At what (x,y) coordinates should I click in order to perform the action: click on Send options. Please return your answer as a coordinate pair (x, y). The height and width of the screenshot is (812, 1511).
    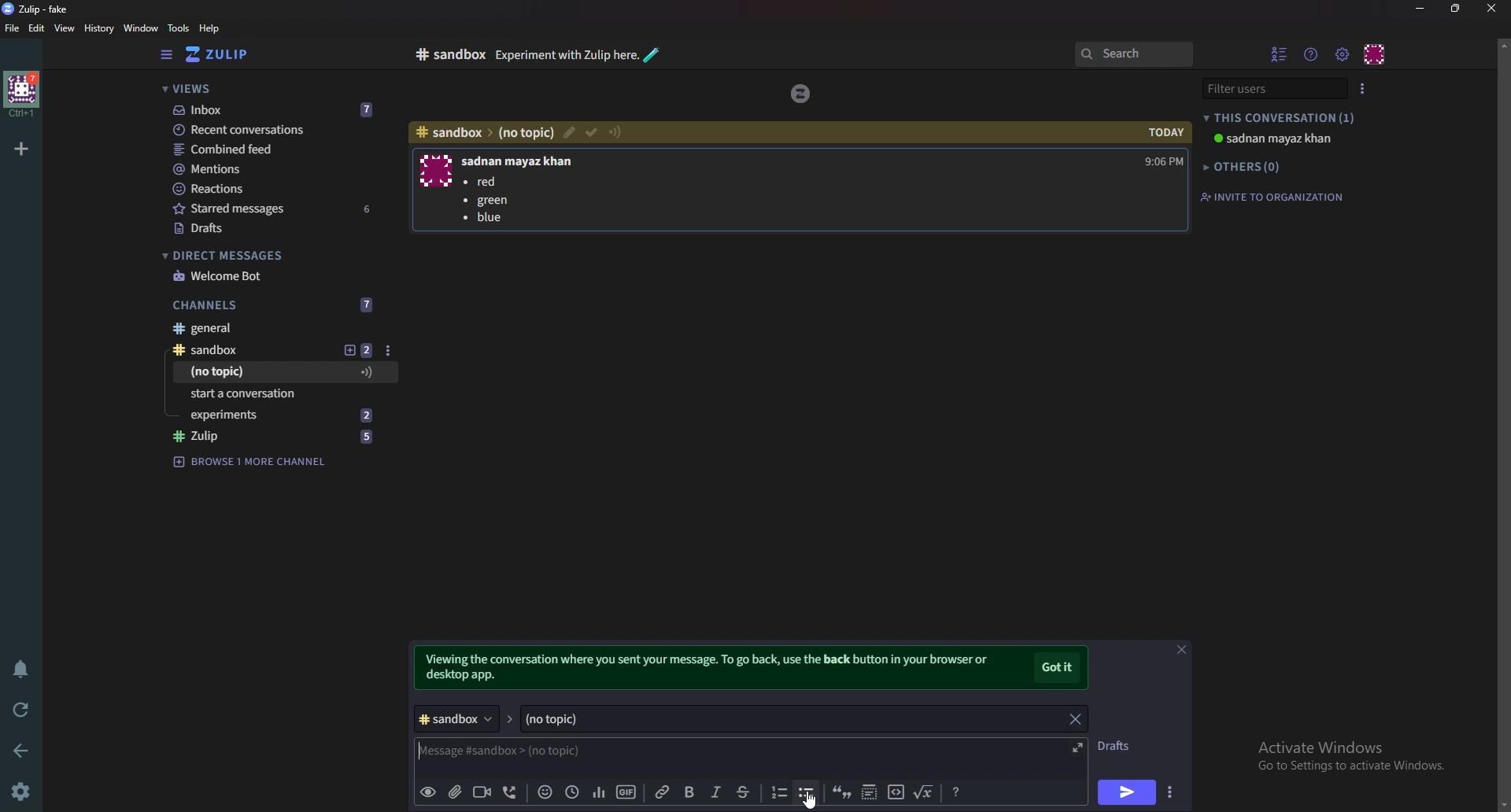
    Looking at the image, I should click on (1172, 792).